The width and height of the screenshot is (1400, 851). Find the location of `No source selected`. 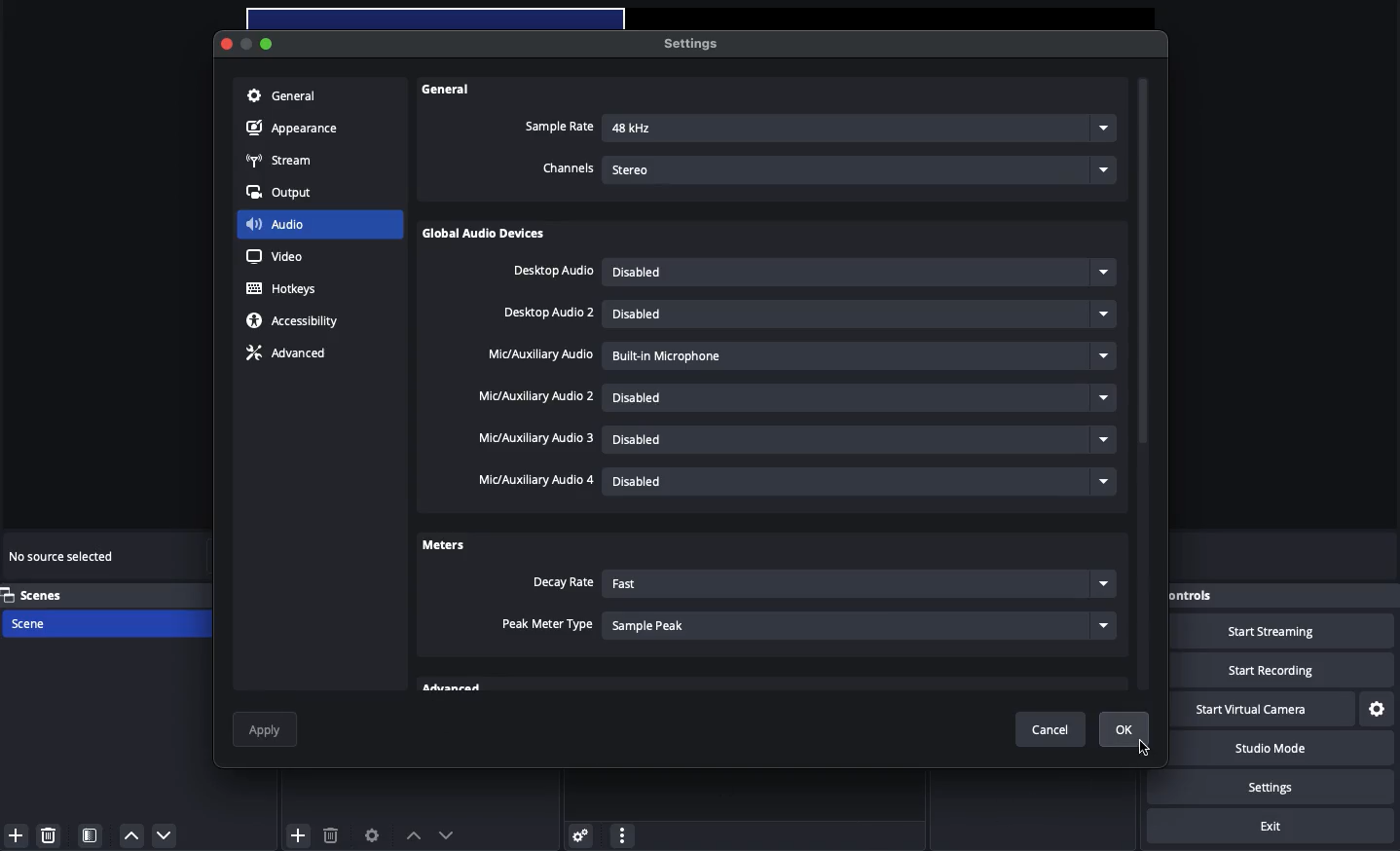

No source selected is located at coordinates (63, 559).